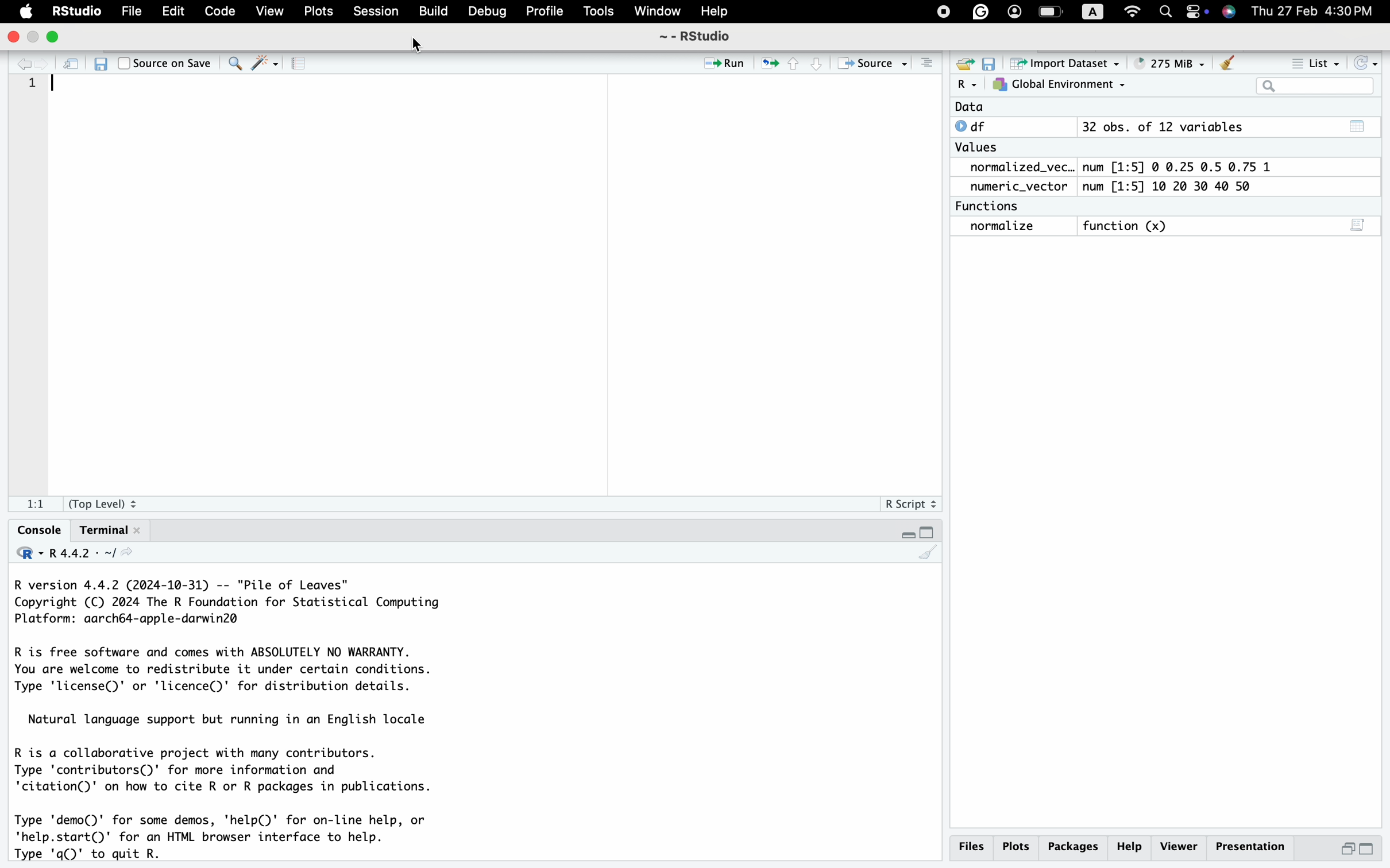  I want to click on df, so click(979, 126).